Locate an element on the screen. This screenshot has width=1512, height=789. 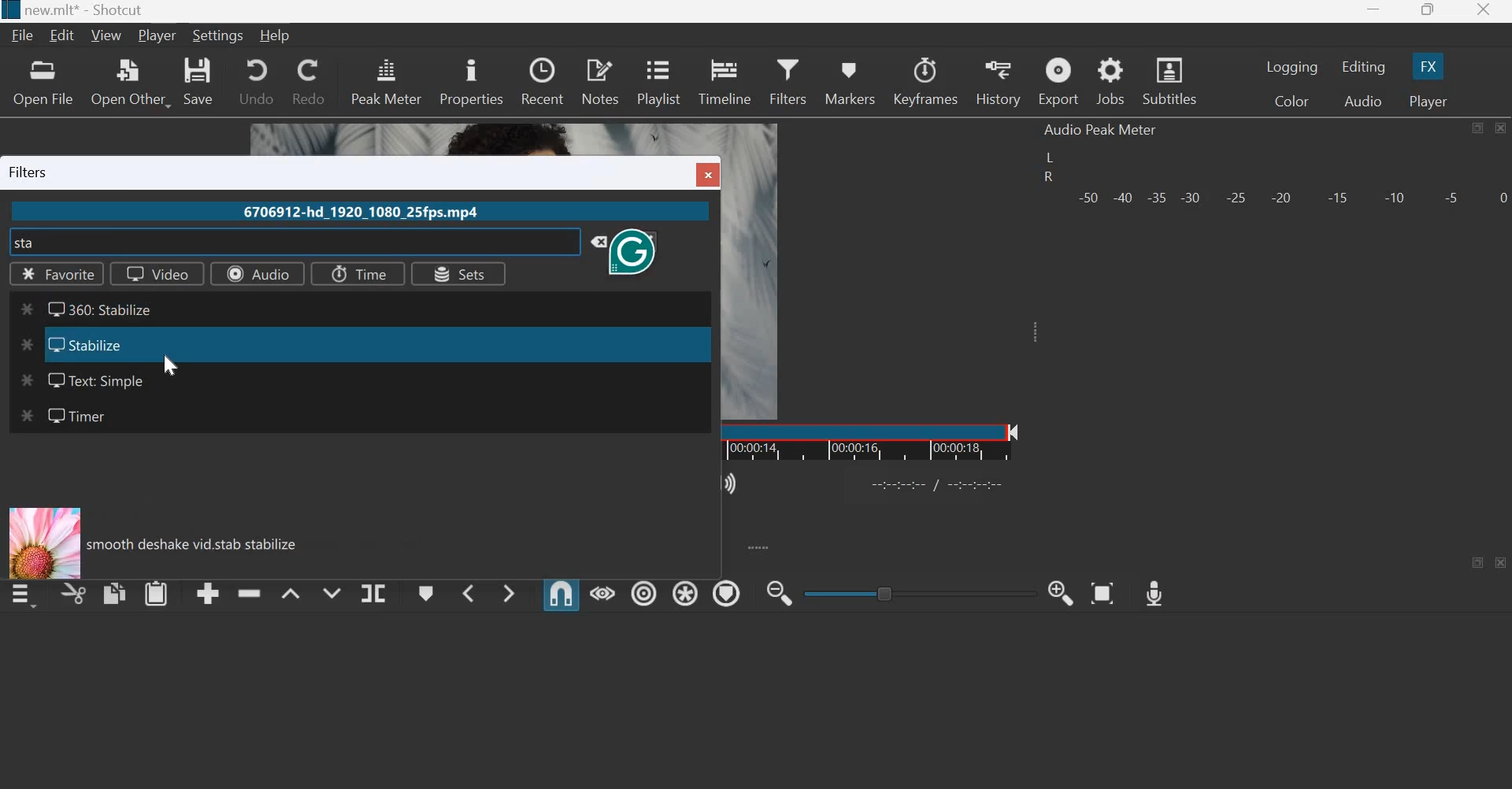
sets is located at coordinates (460, 274).